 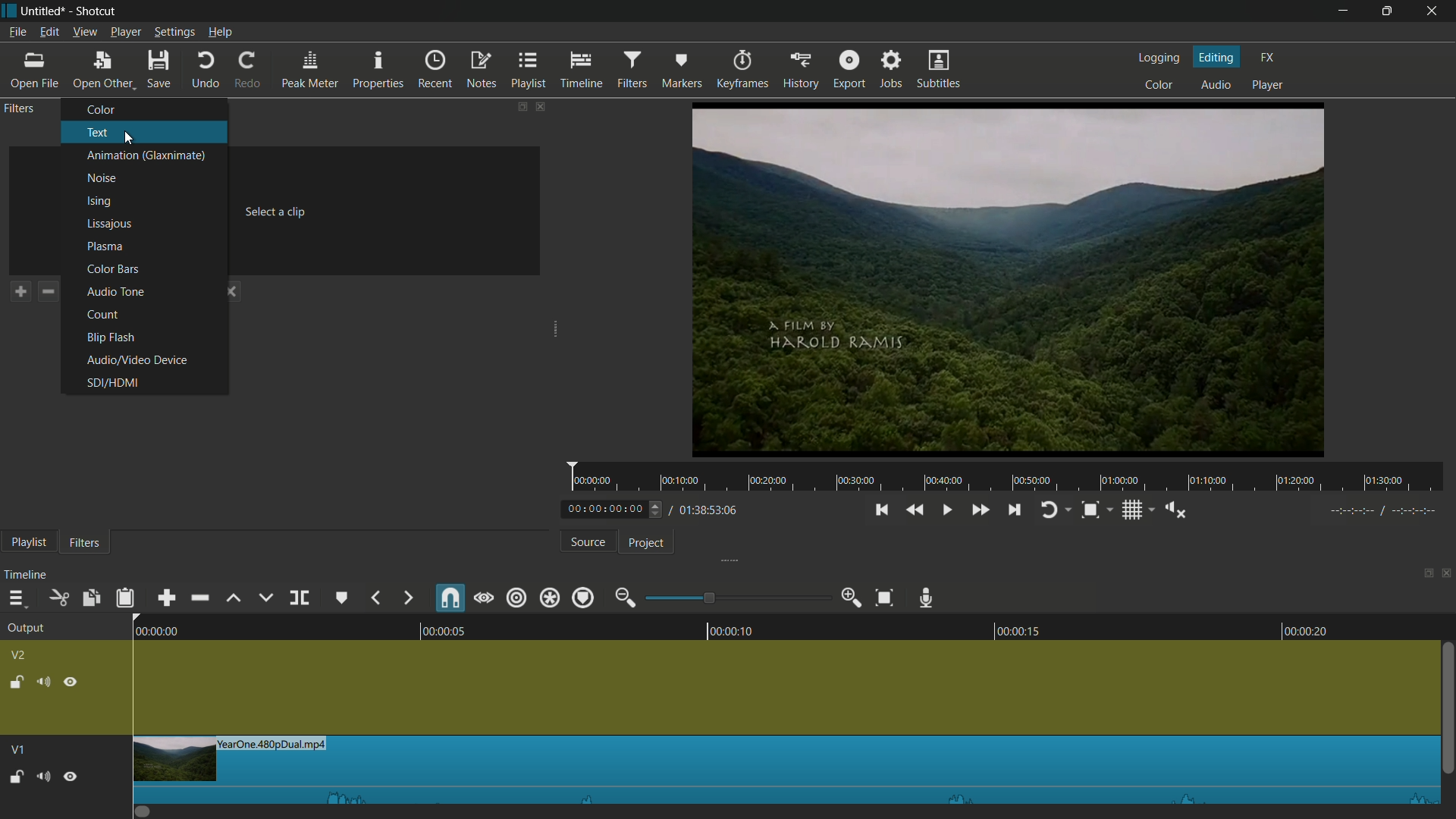 What do you see at coordinates (800, 71) in the screenshot?
I see `history` at bounding box center [800, 71].